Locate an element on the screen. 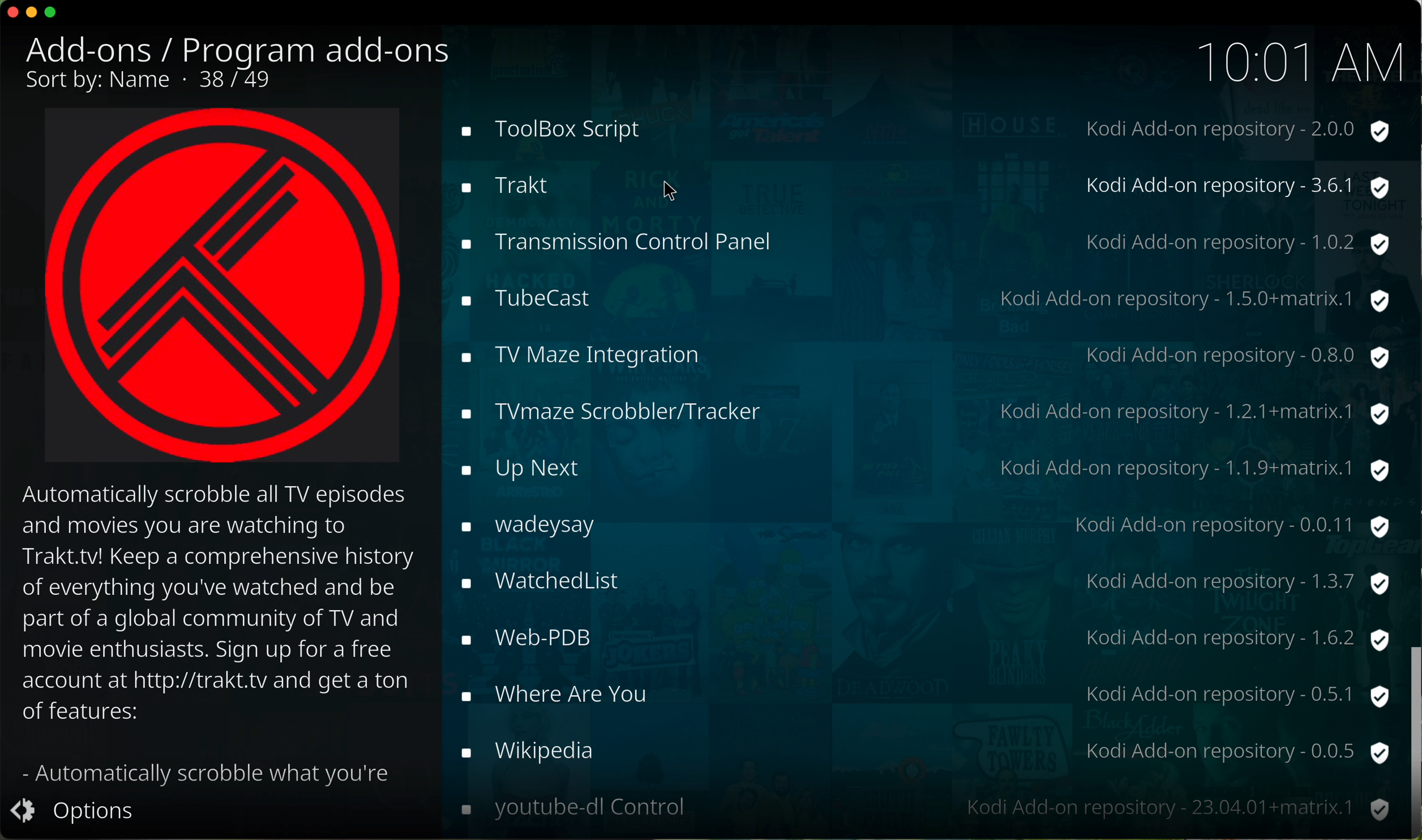  cursor is located at coordinates (675, 192).